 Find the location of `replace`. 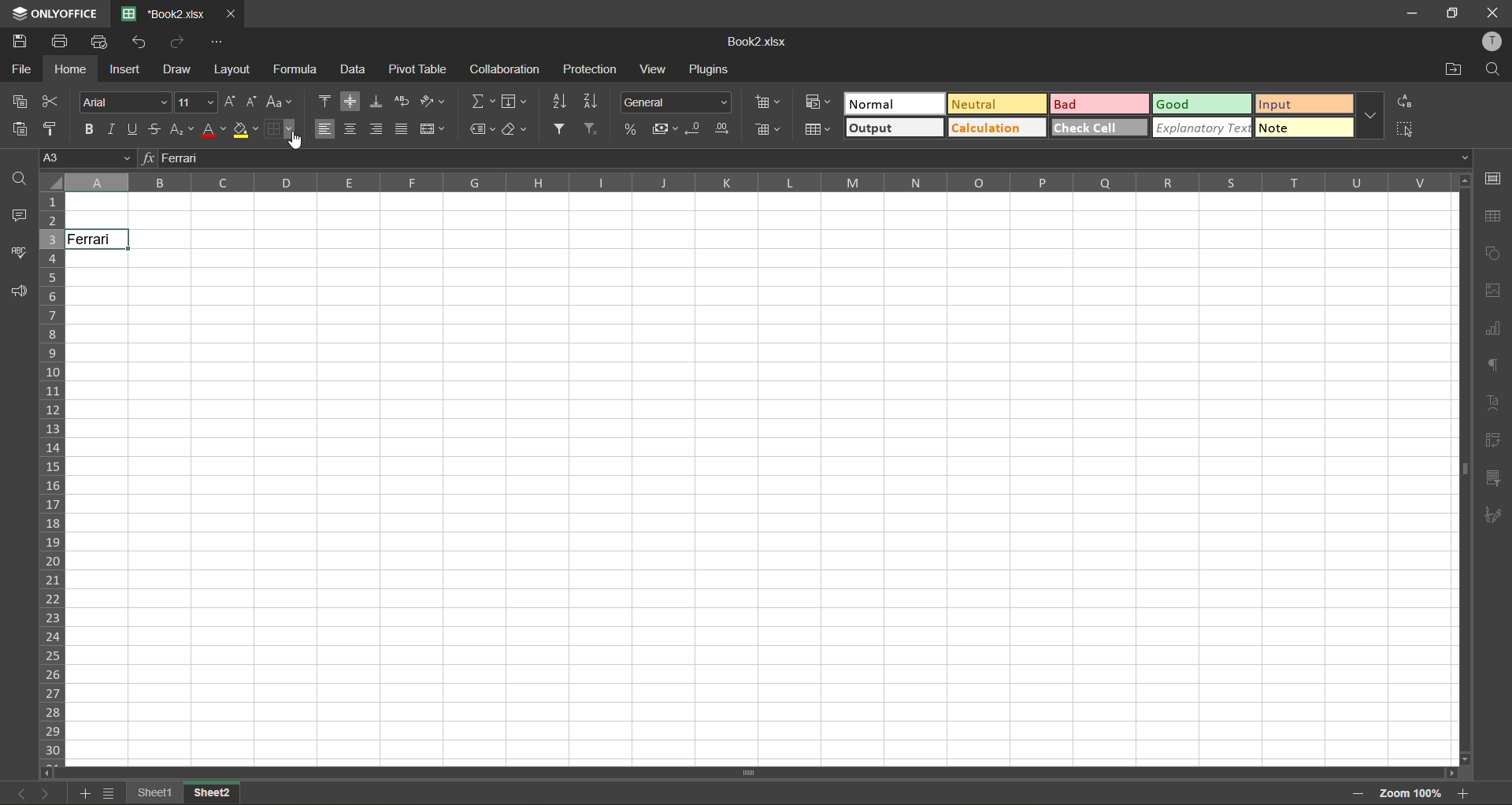

replace is located at coordinates (1406, 101).